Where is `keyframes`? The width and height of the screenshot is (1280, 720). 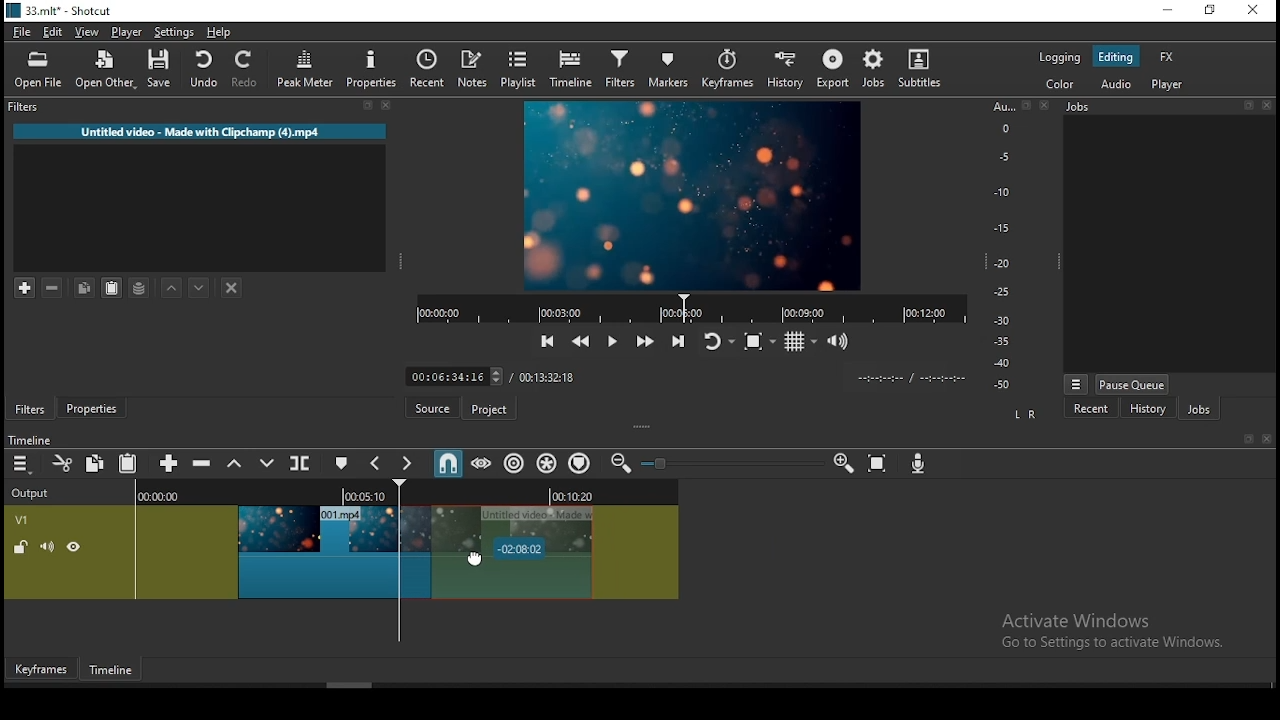 keyframes is located at coordinates (727, 70).